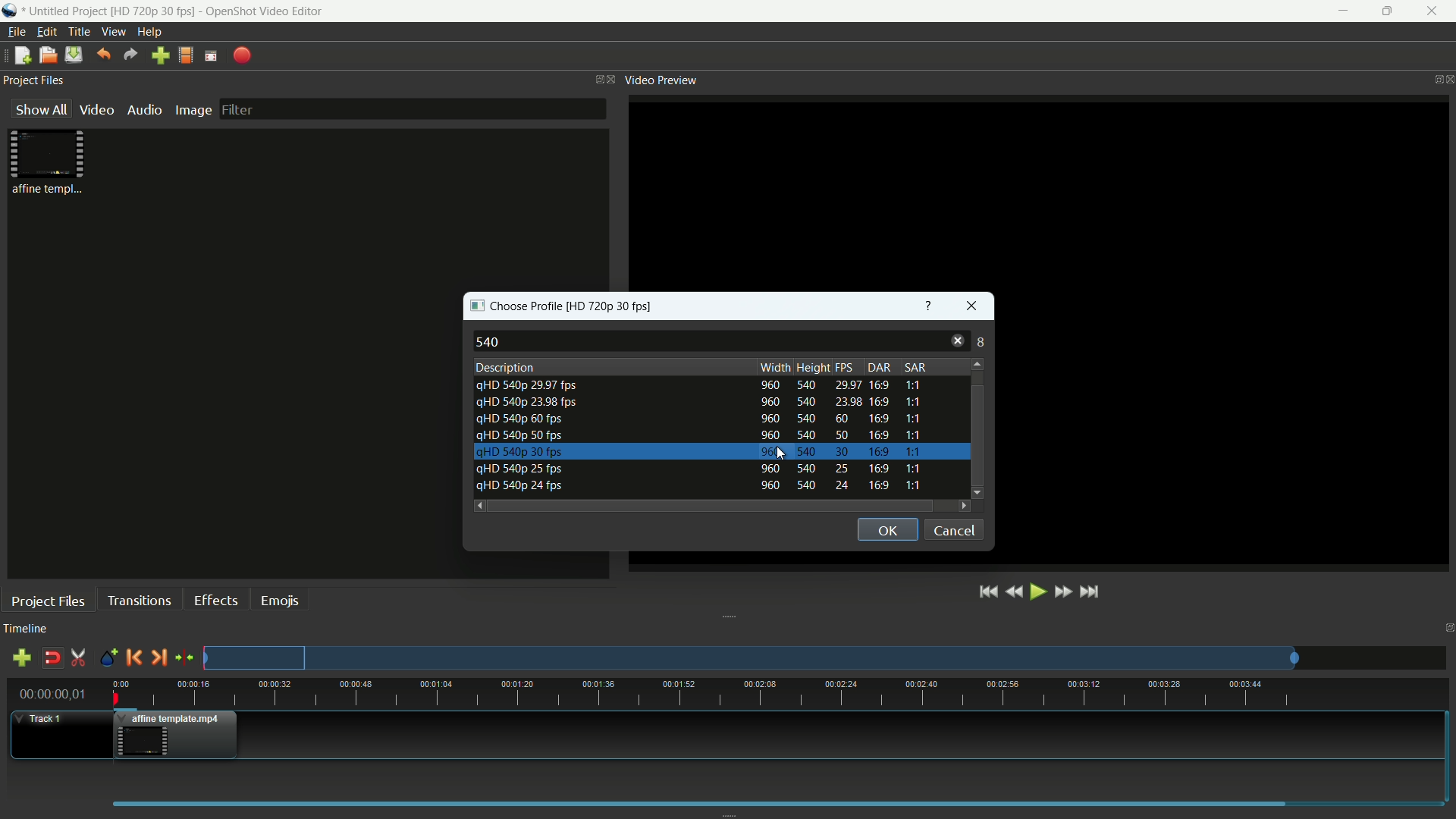 The width and height of the screenshot is (1456, 819). What do you see at coordinates (152, 11) in the screenshot?
I see `profile` at bounding box center [152, 11].